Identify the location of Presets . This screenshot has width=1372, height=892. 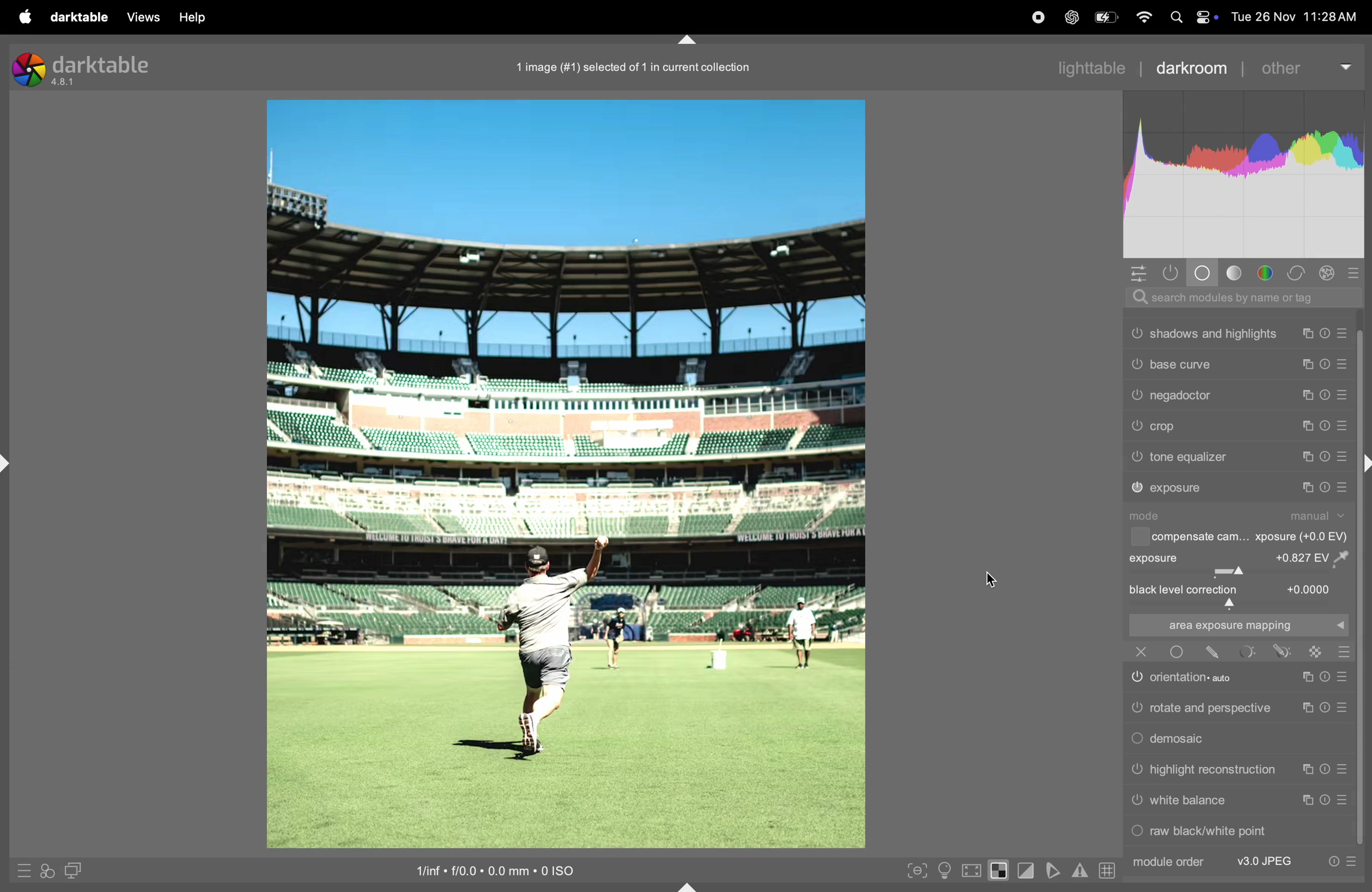
(1344, 427).